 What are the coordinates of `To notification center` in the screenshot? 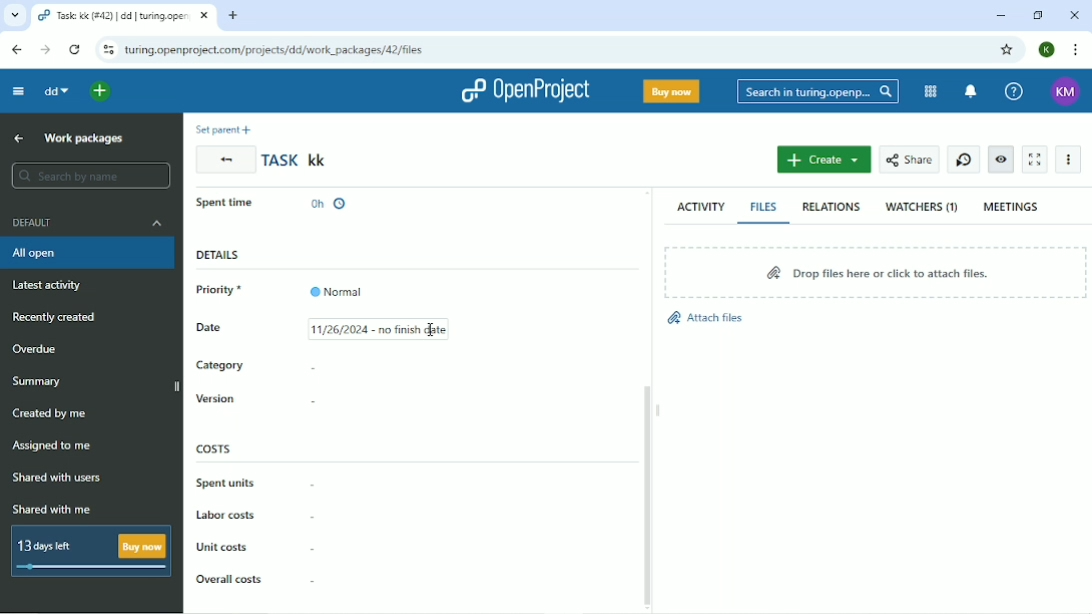 It's located at (970, 93).